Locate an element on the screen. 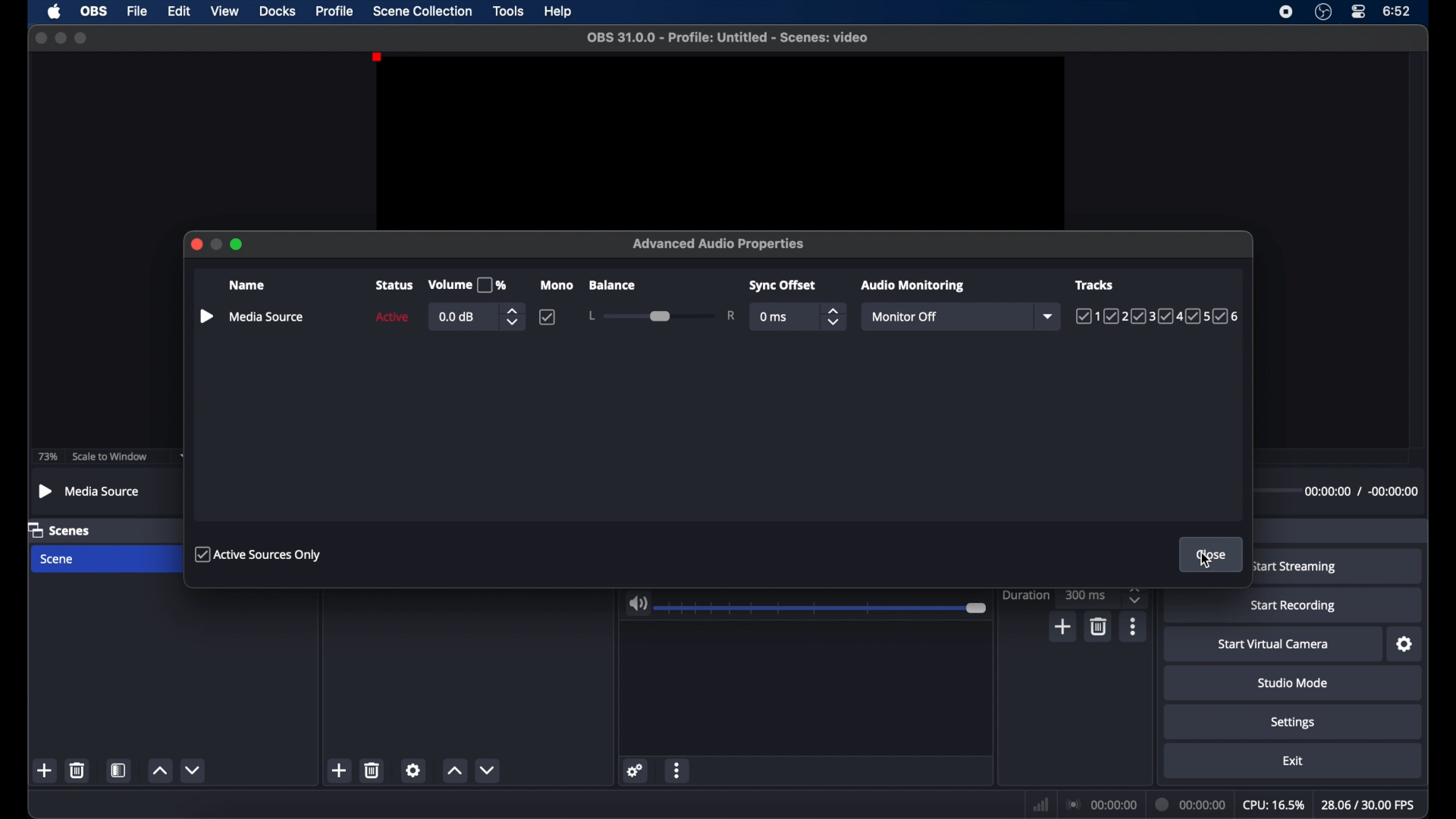  status is located at coordinates (393, 286).